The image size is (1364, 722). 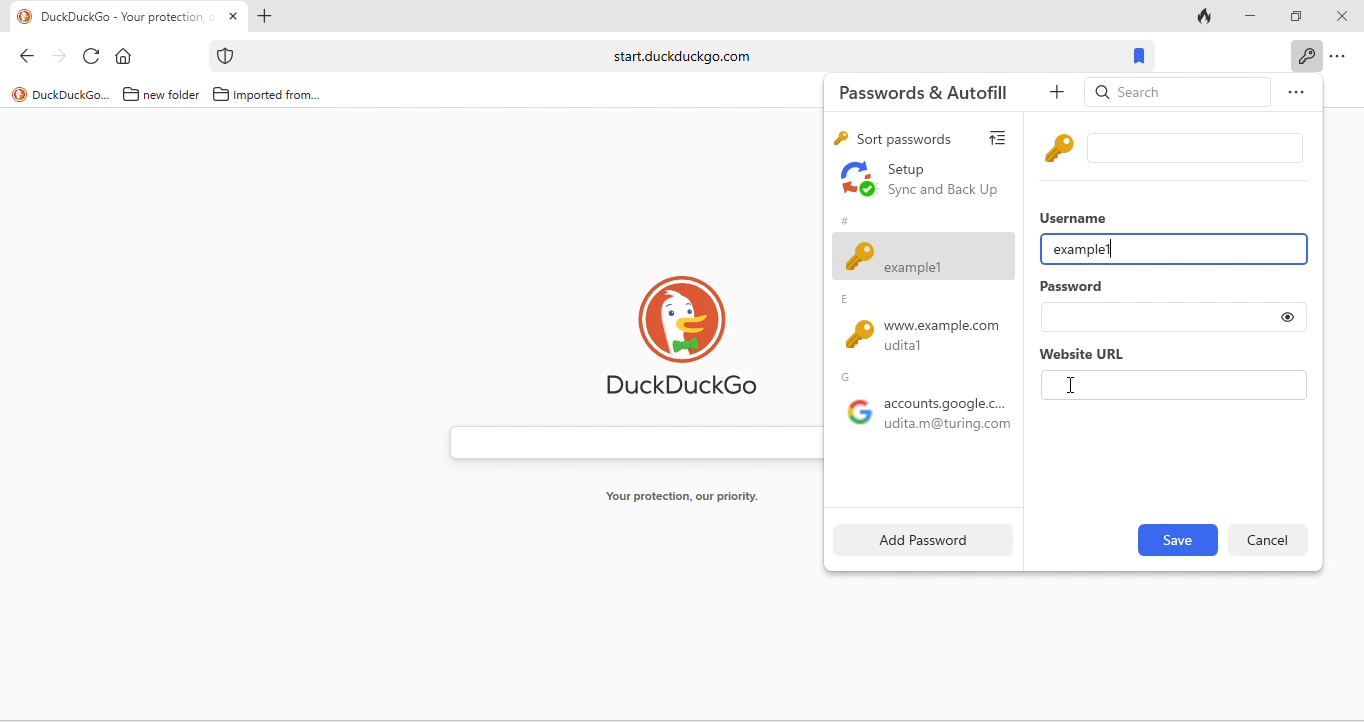 I want to click on forward, so click(x=58, y=56).